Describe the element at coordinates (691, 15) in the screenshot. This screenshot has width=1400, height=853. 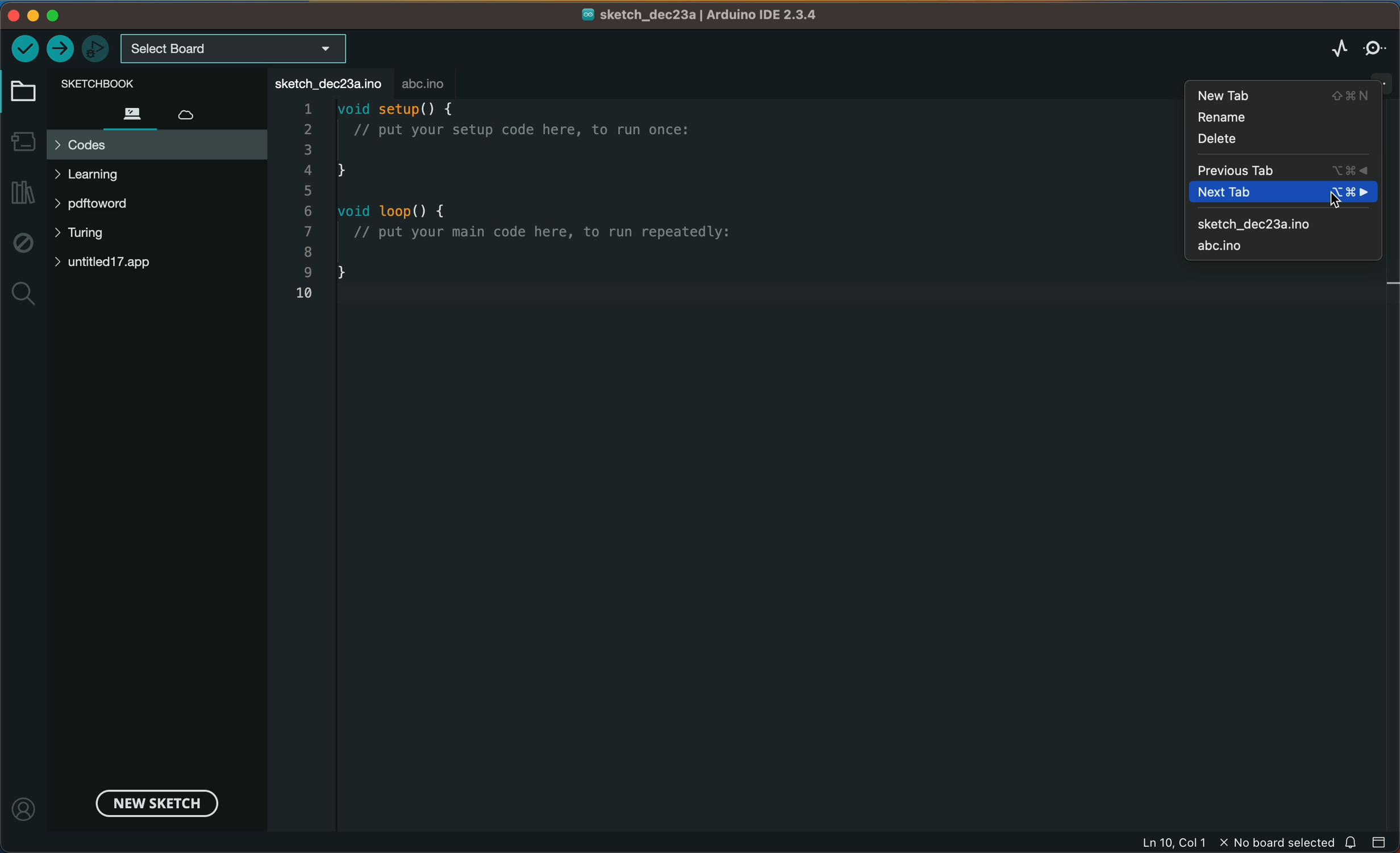
I see `file name` at that location.